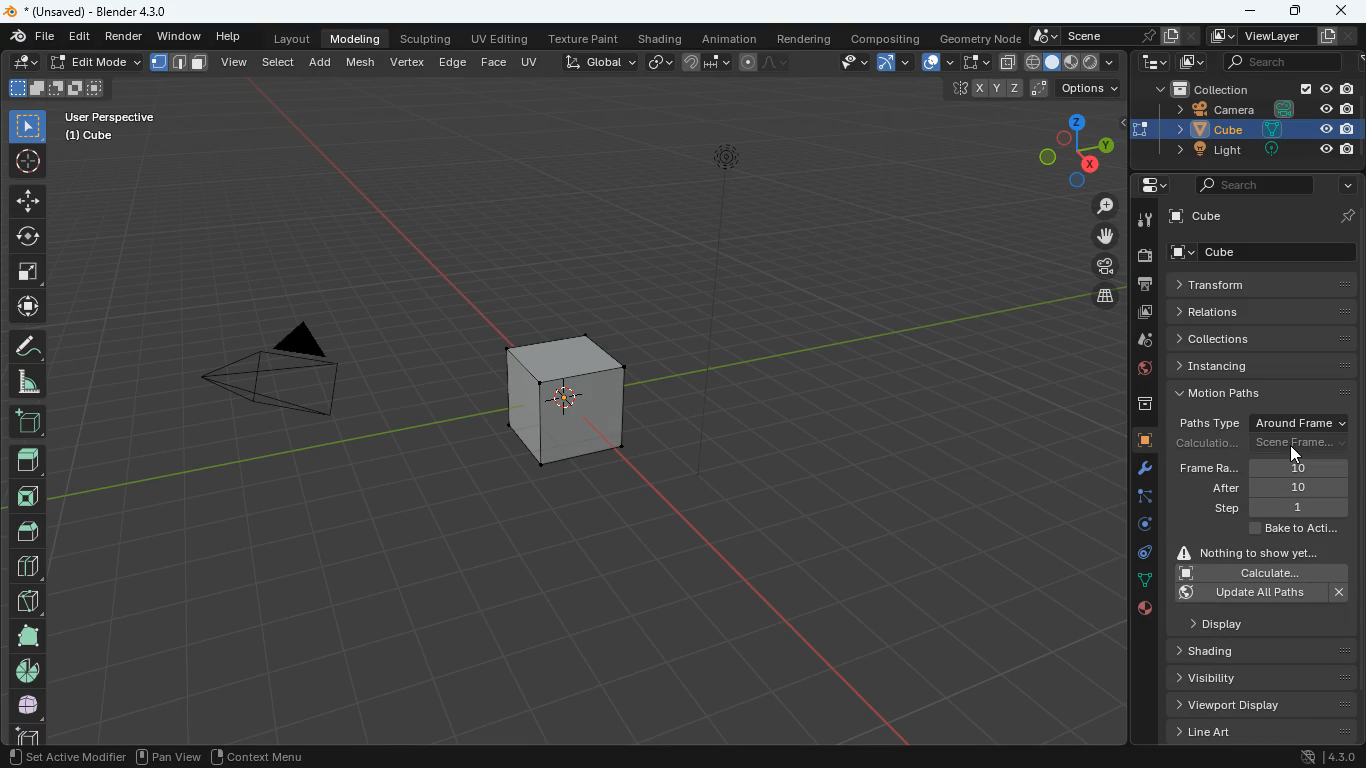 Image resolution: width=1366 pixels, height=768 pixels. Describe the element at coordinates (1145, 342) in the screenshot. I see `drop` at that location.